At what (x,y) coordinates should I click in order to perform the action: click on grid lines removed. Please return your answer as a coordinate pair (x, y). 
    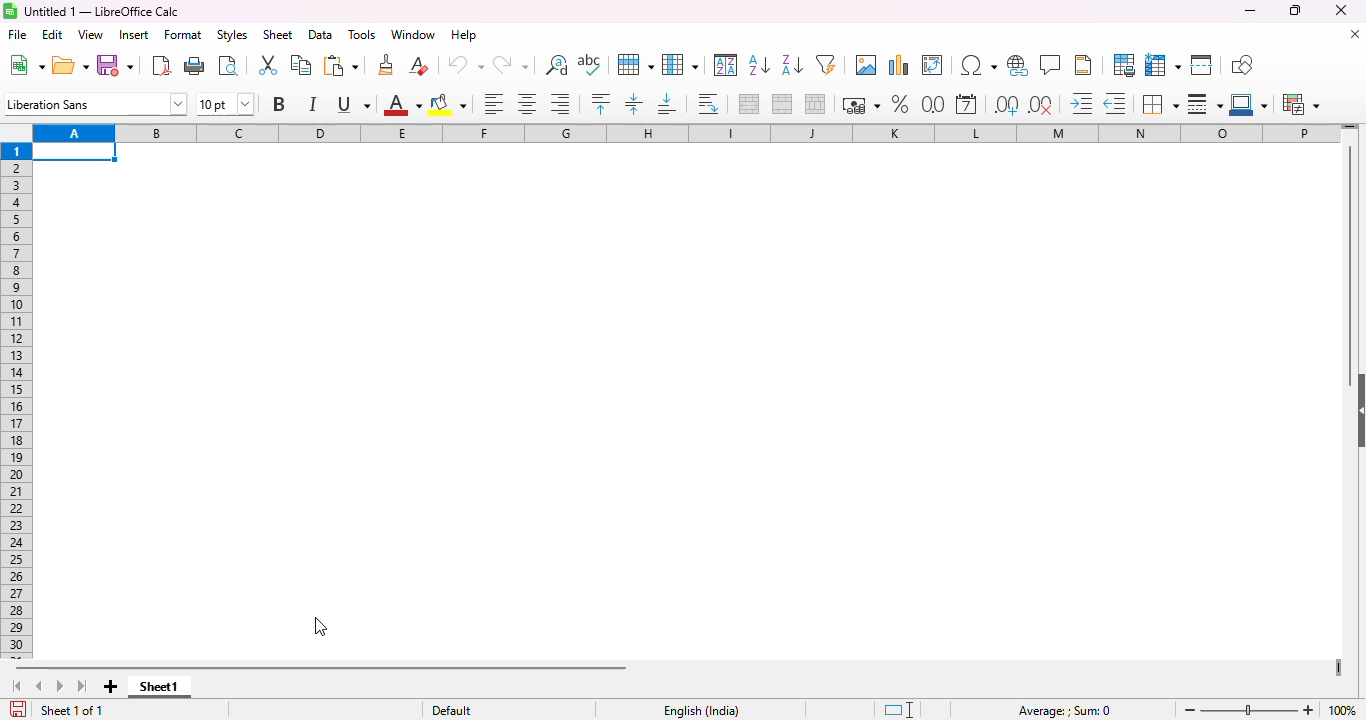
    Looking at the image, I should click on (687, 399).